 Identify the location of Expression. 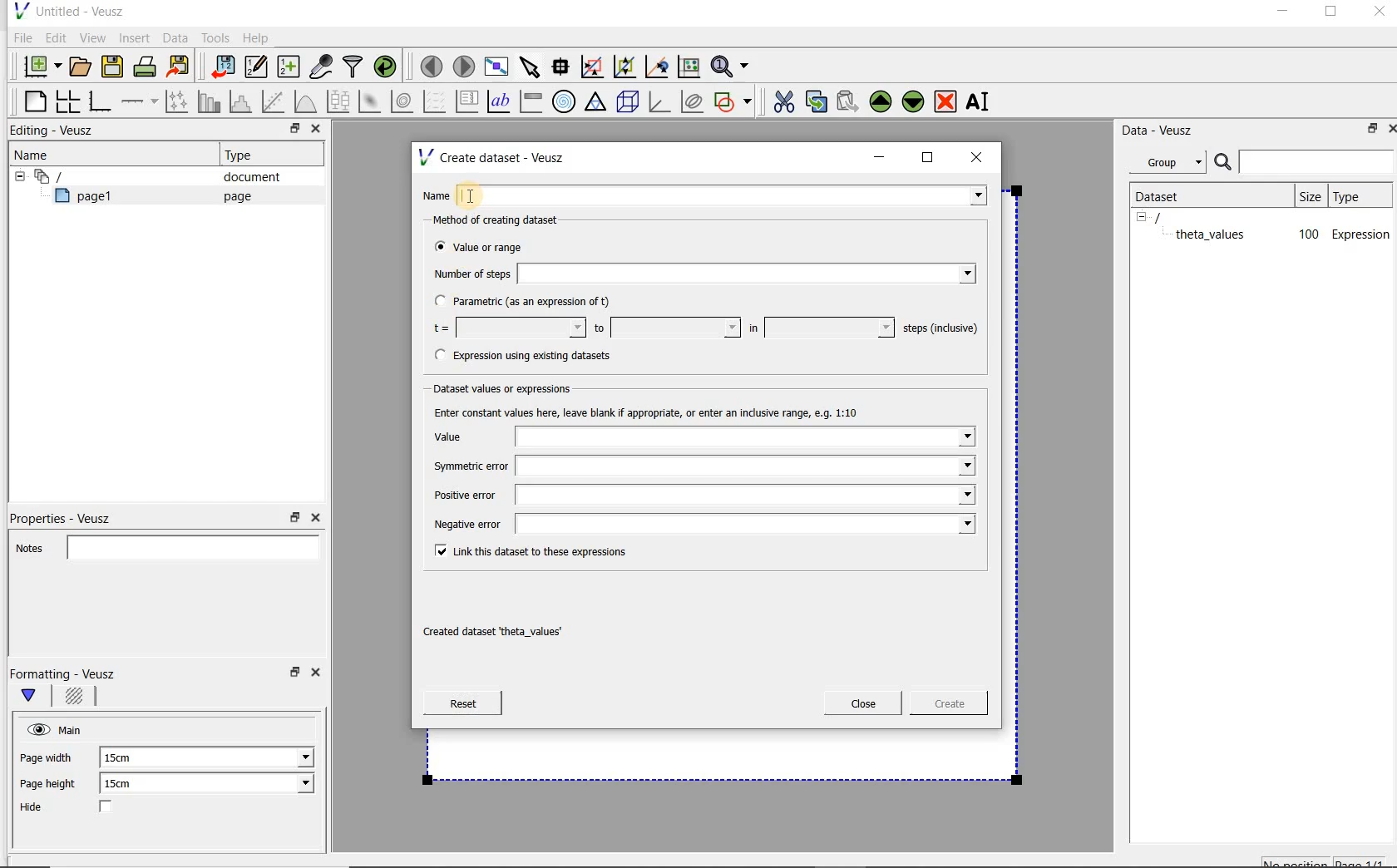
(1361, 234).